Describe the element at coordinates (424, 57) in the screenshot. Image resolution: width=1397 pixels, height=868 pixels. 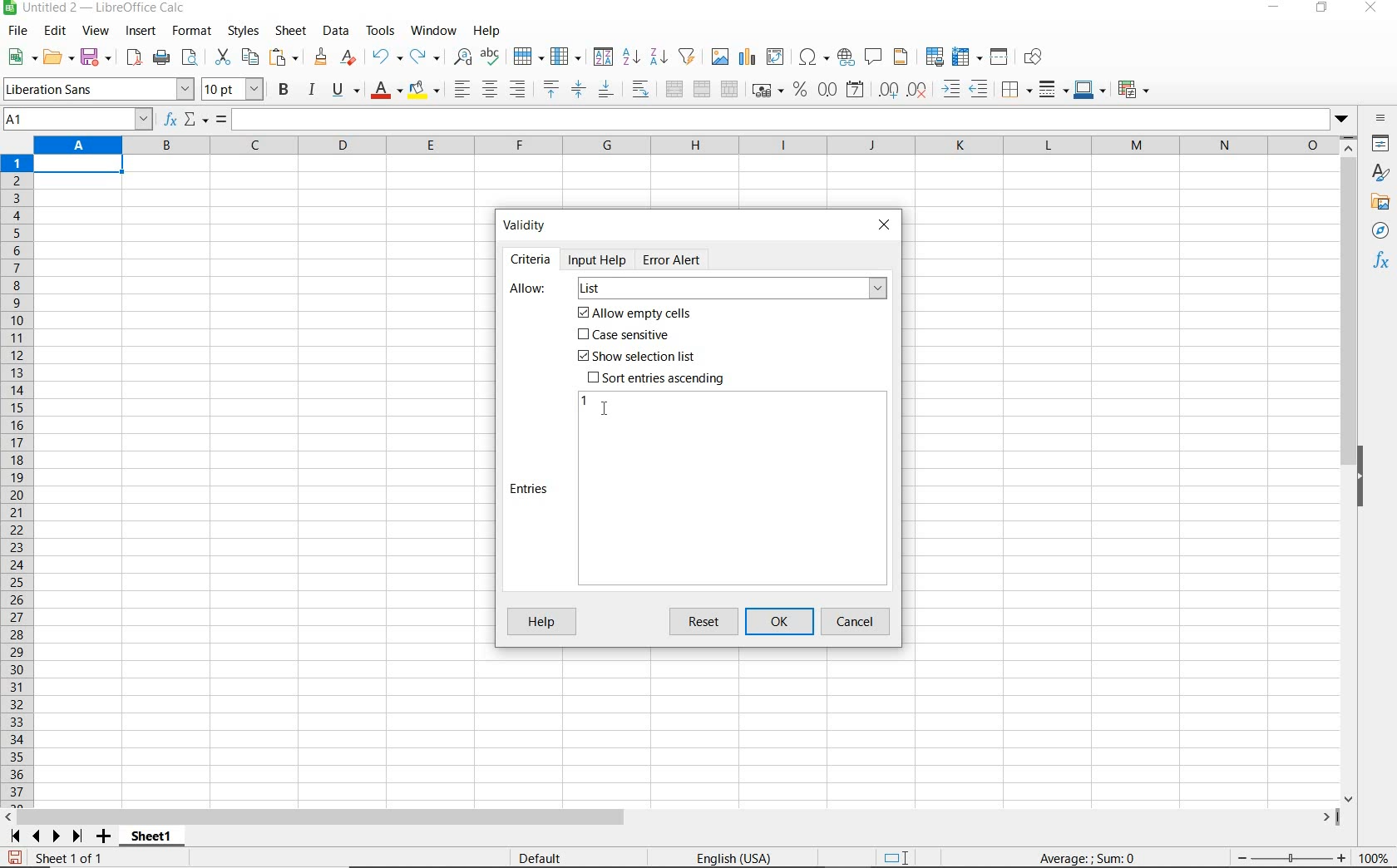
I see `redo` at that location.